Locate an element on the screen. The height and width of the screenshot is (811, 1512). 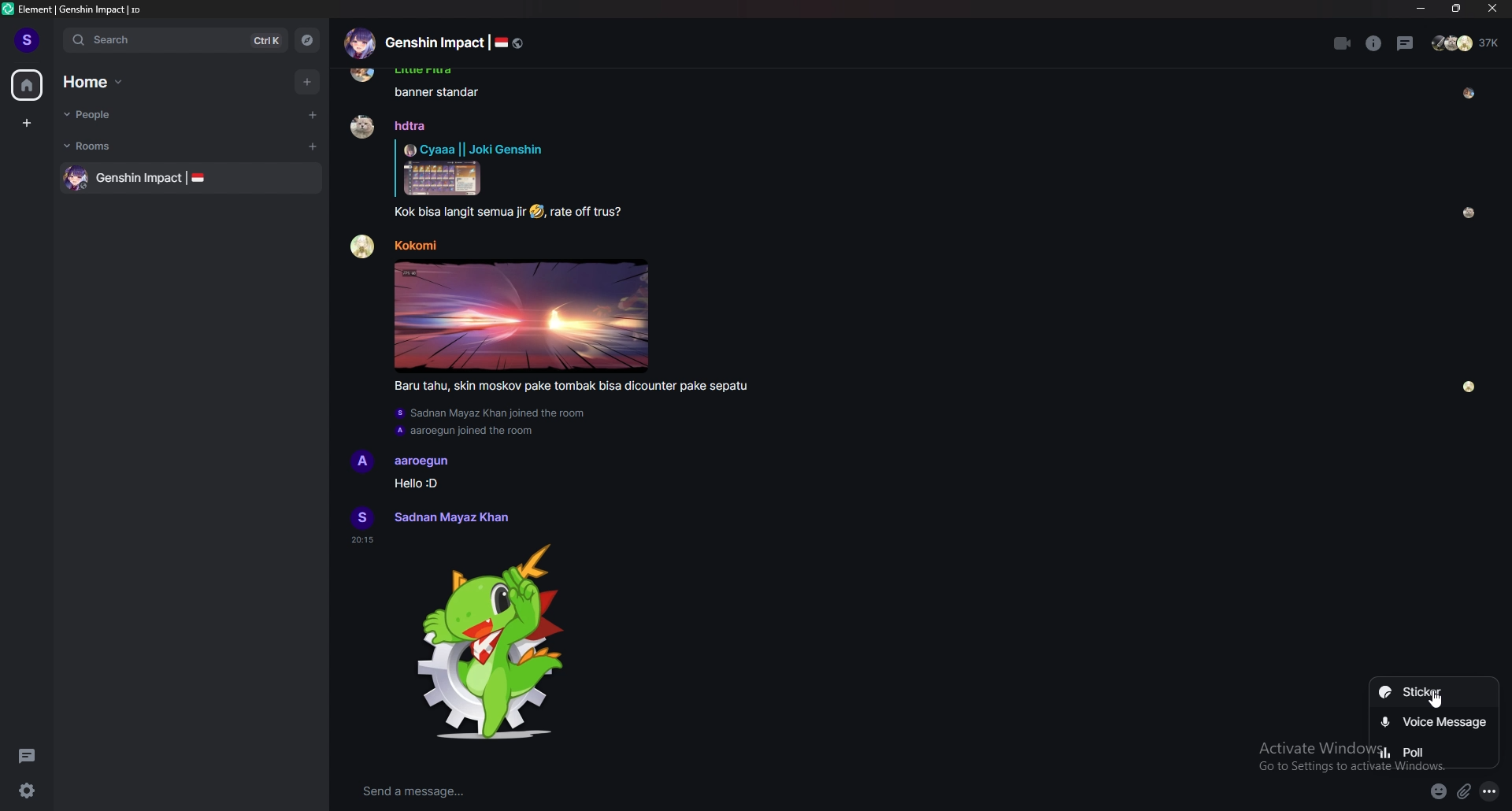
aaroegun is located at coordinates (422, 462).